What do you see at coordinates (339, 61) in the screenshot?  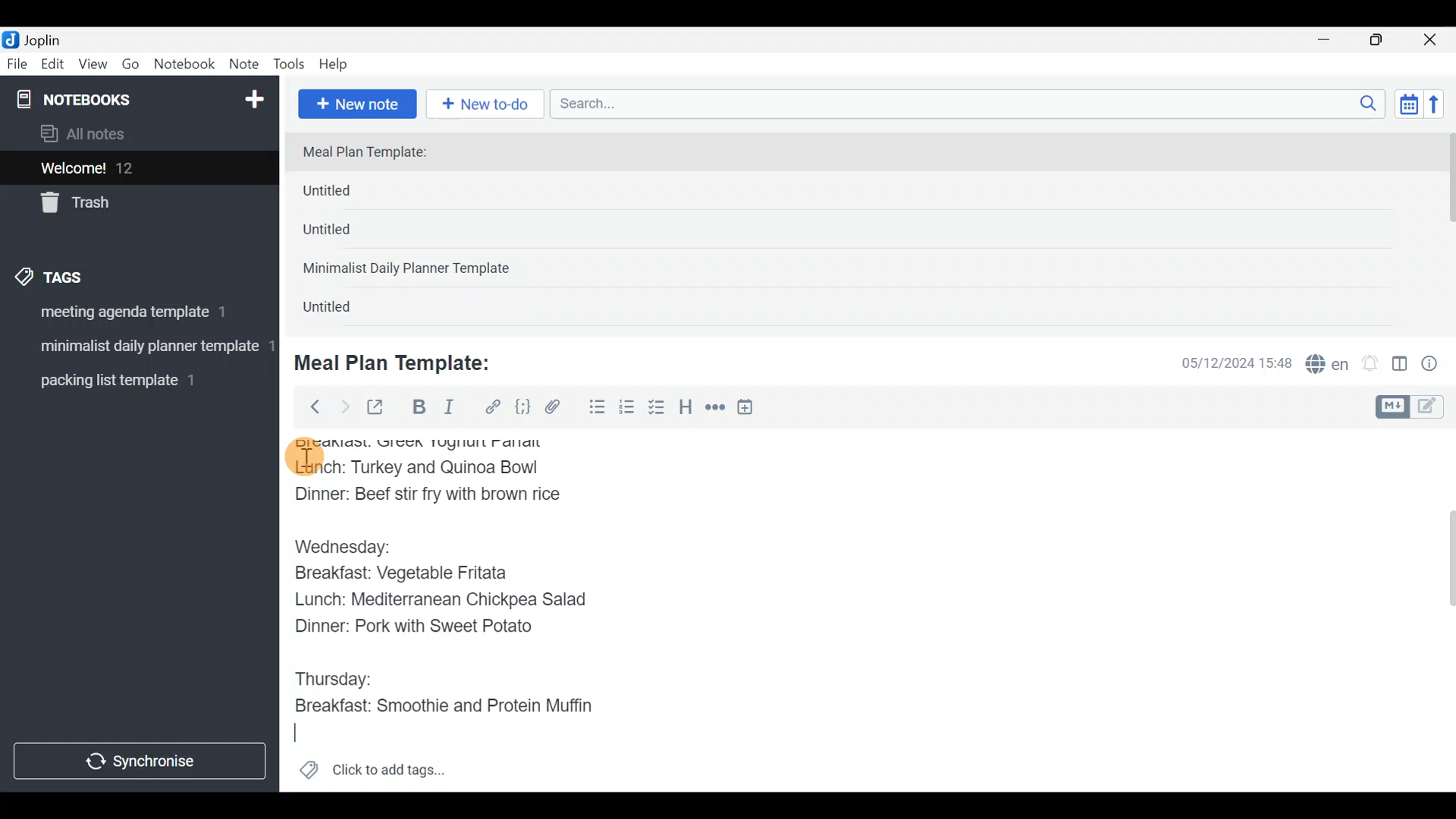 I see `Help` at bounding box center [339, 61].